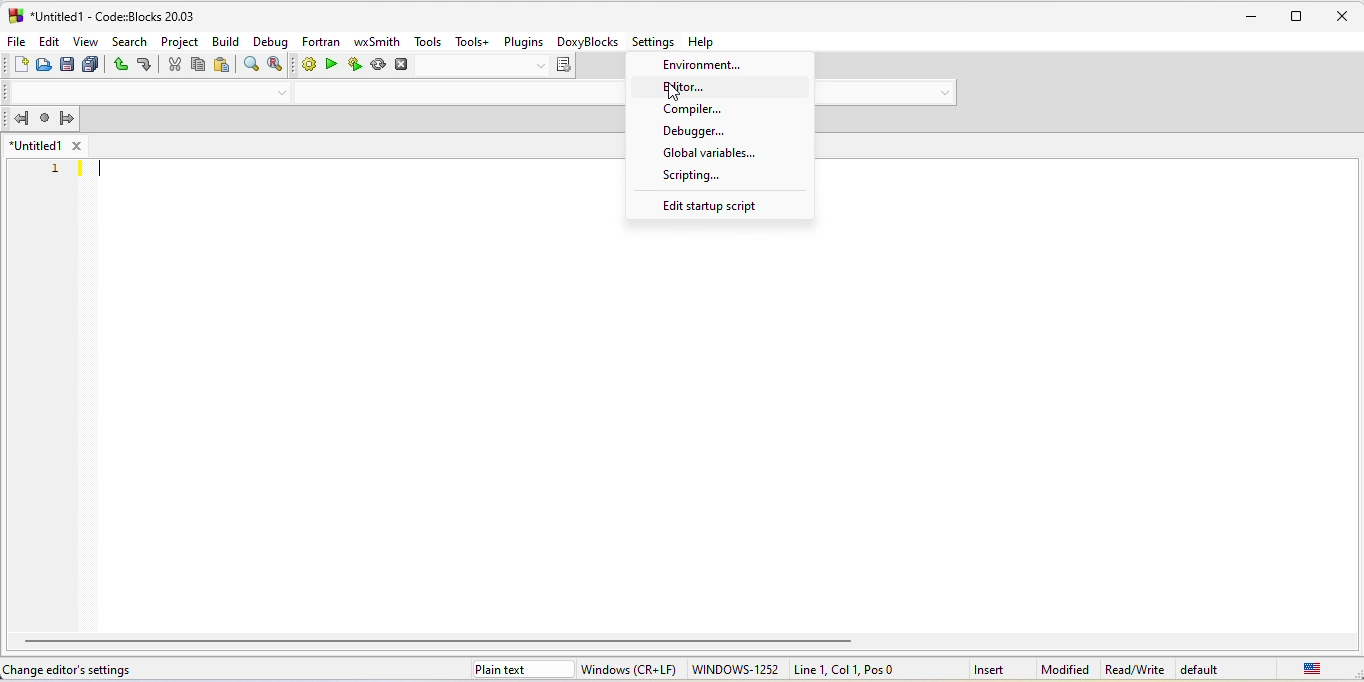  I want to click on default, so click(1202, 669).